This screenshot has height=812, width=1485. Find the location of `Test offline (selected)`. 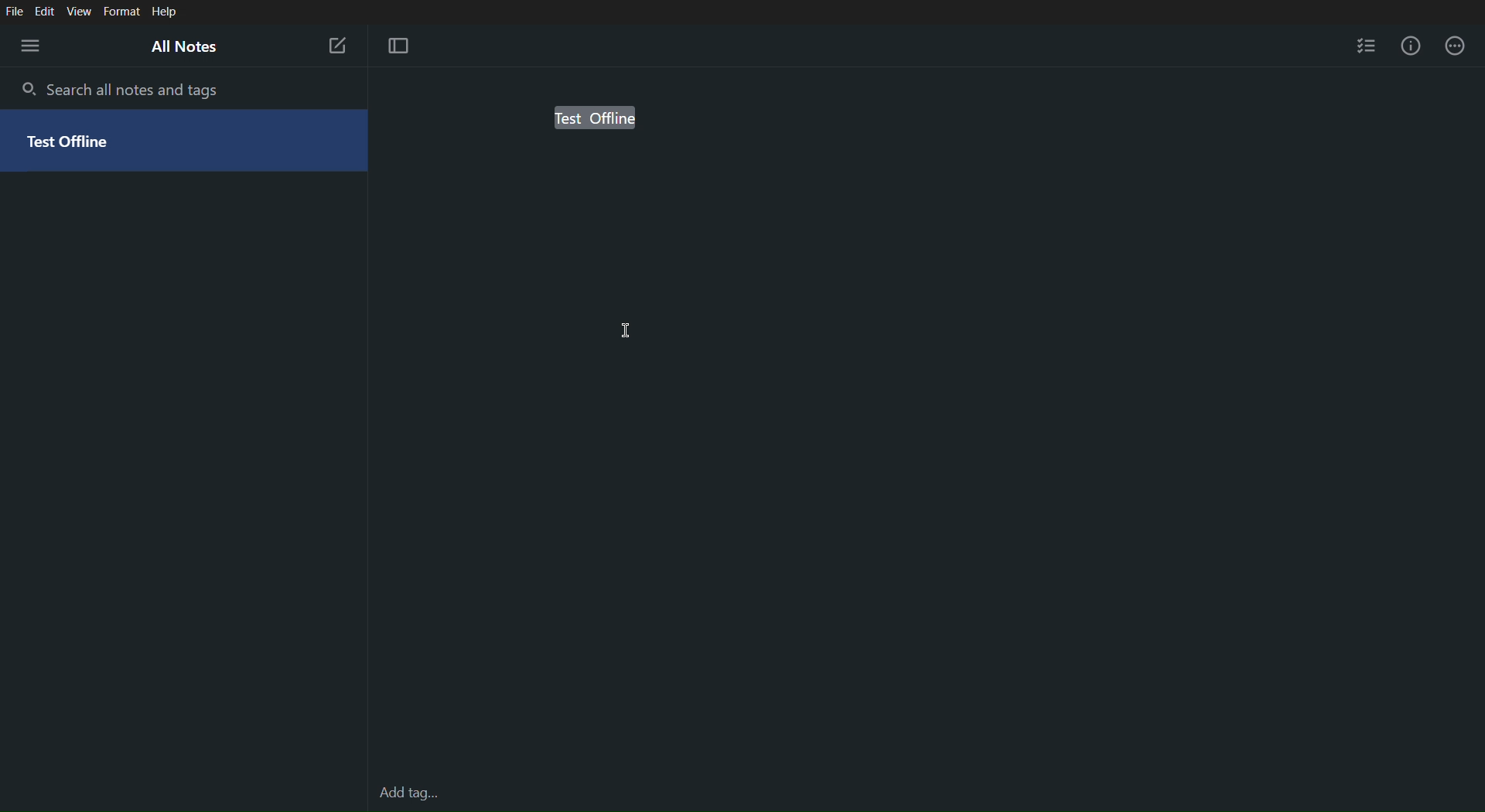

Test offline (selected) is located at coordinates (592, 120).